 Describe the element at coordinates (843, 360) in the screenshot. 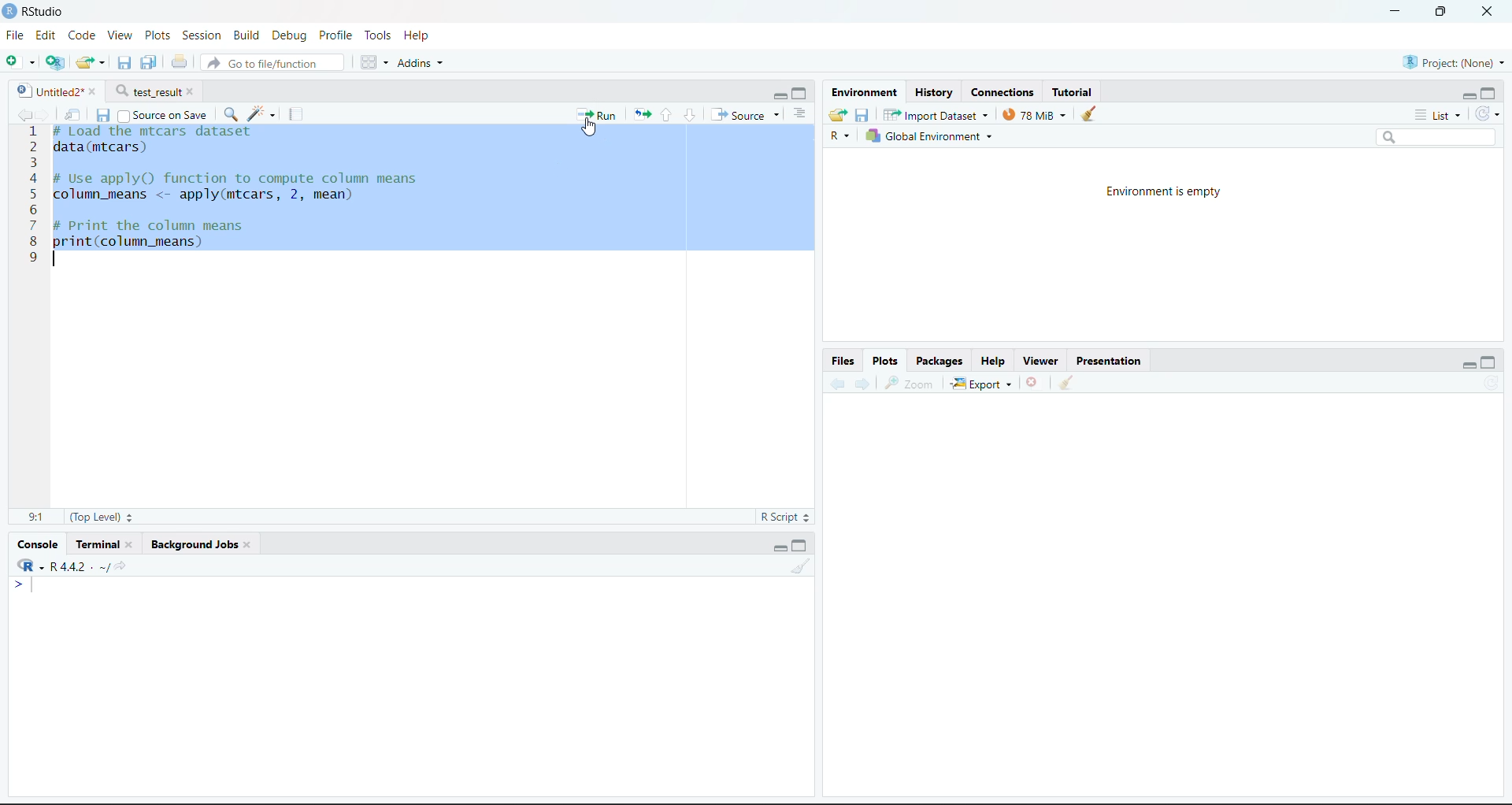

I see `Files` at that location.